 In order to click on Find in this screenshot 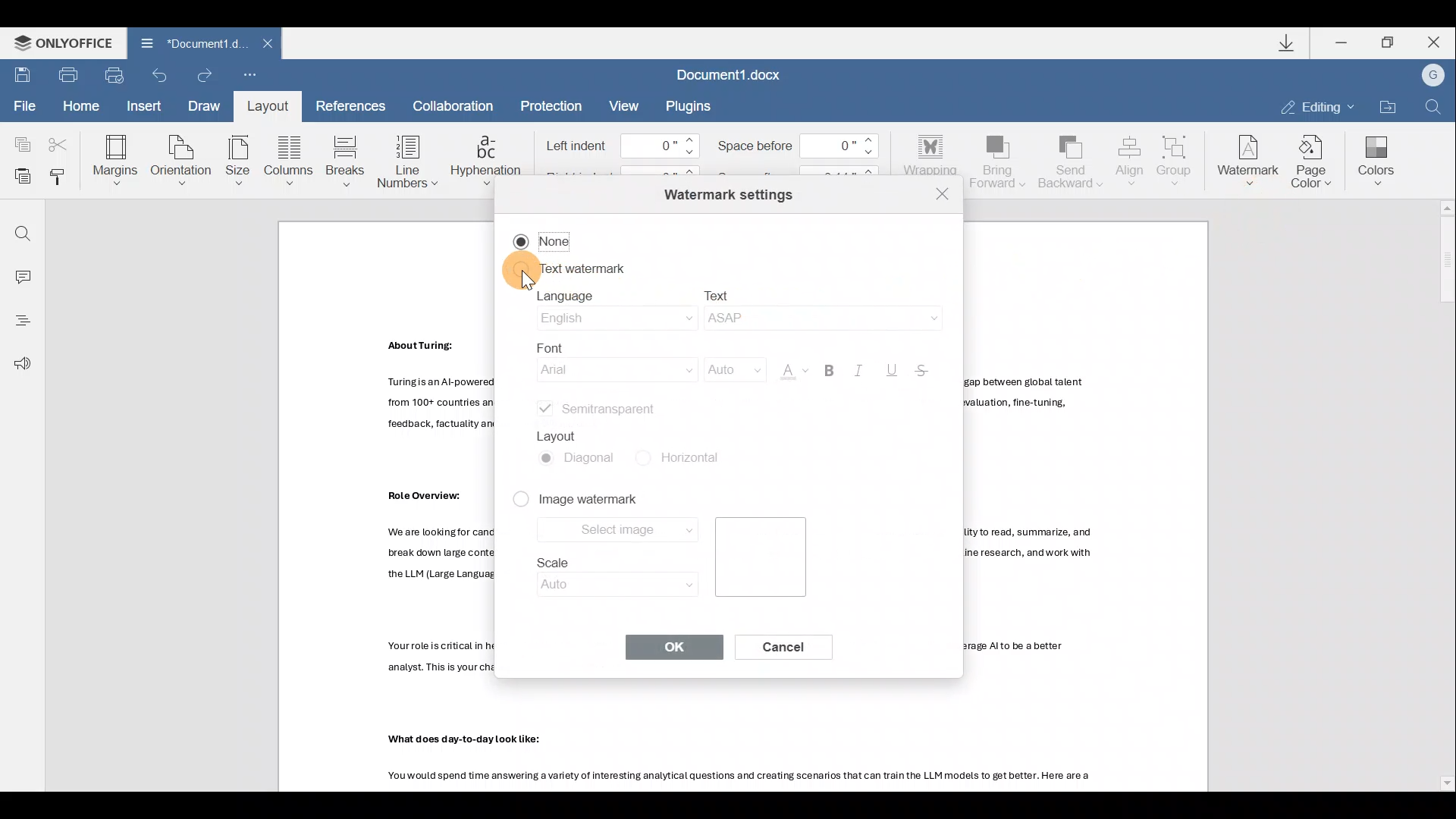, I will do `click(1433, 105)`.